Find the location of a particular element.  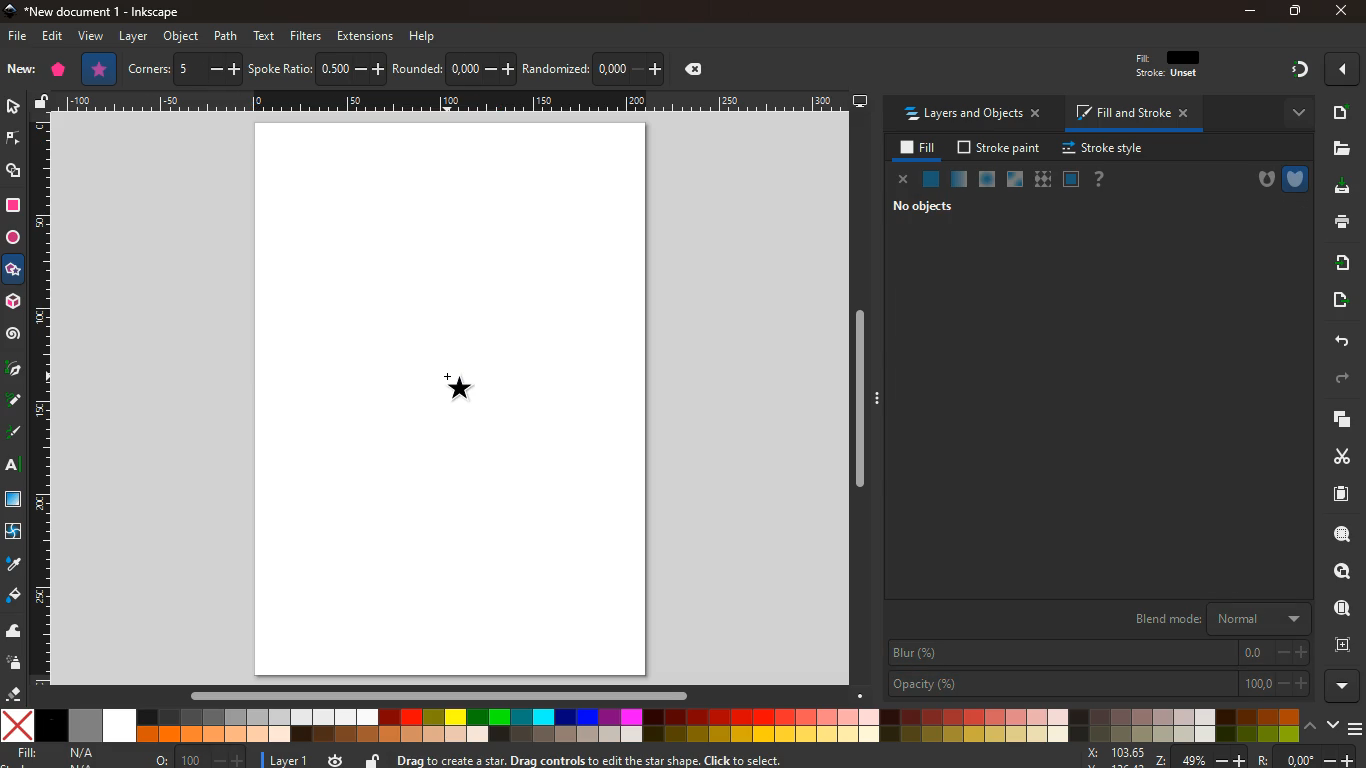

write is located at coordinates (14, 401).